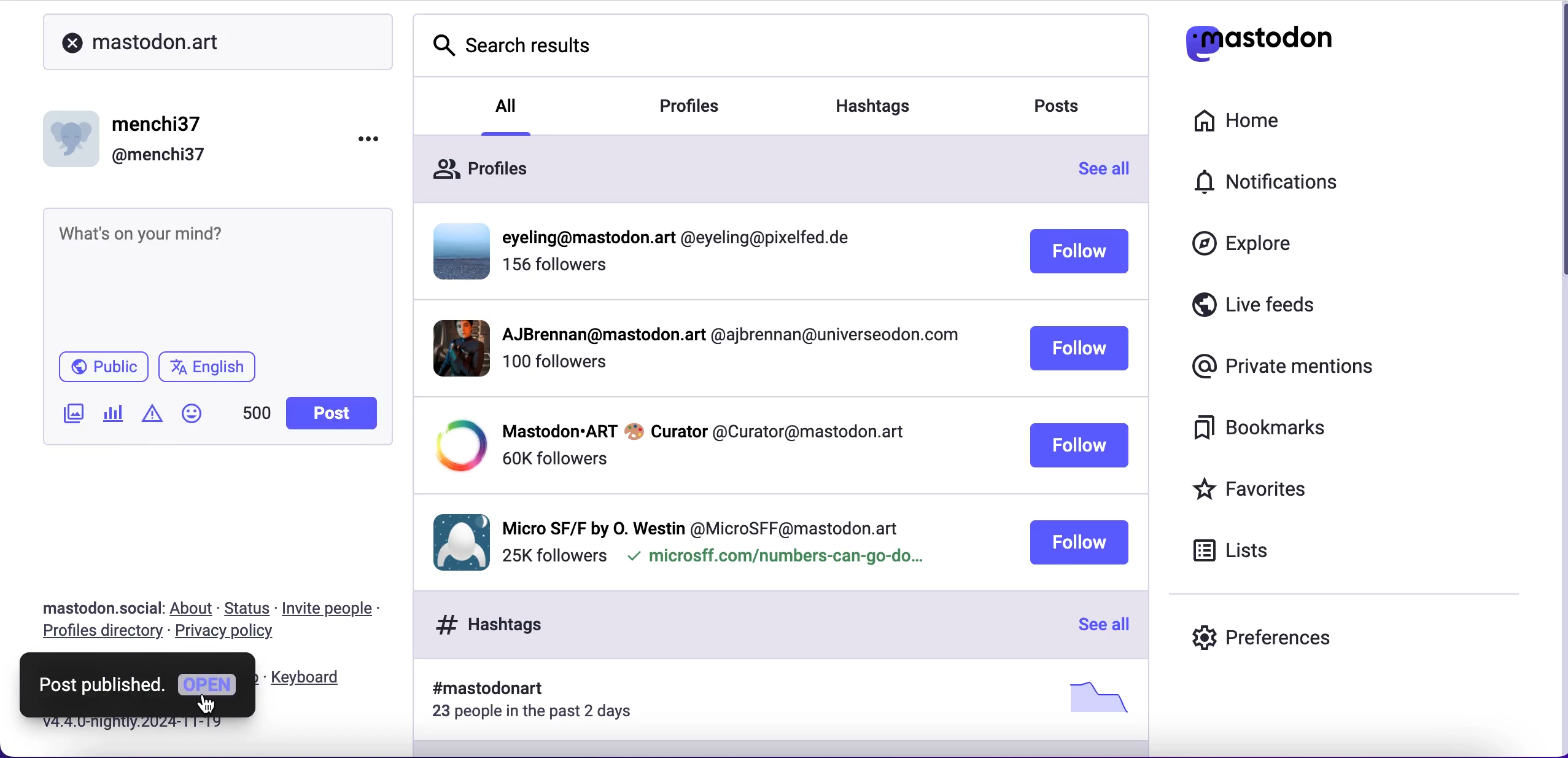 The image size is (1568, 758). What do you see at coordinates (1282, 44) in the screenshot?
I see `mastodon logo` at bounding box center [1282, 44].